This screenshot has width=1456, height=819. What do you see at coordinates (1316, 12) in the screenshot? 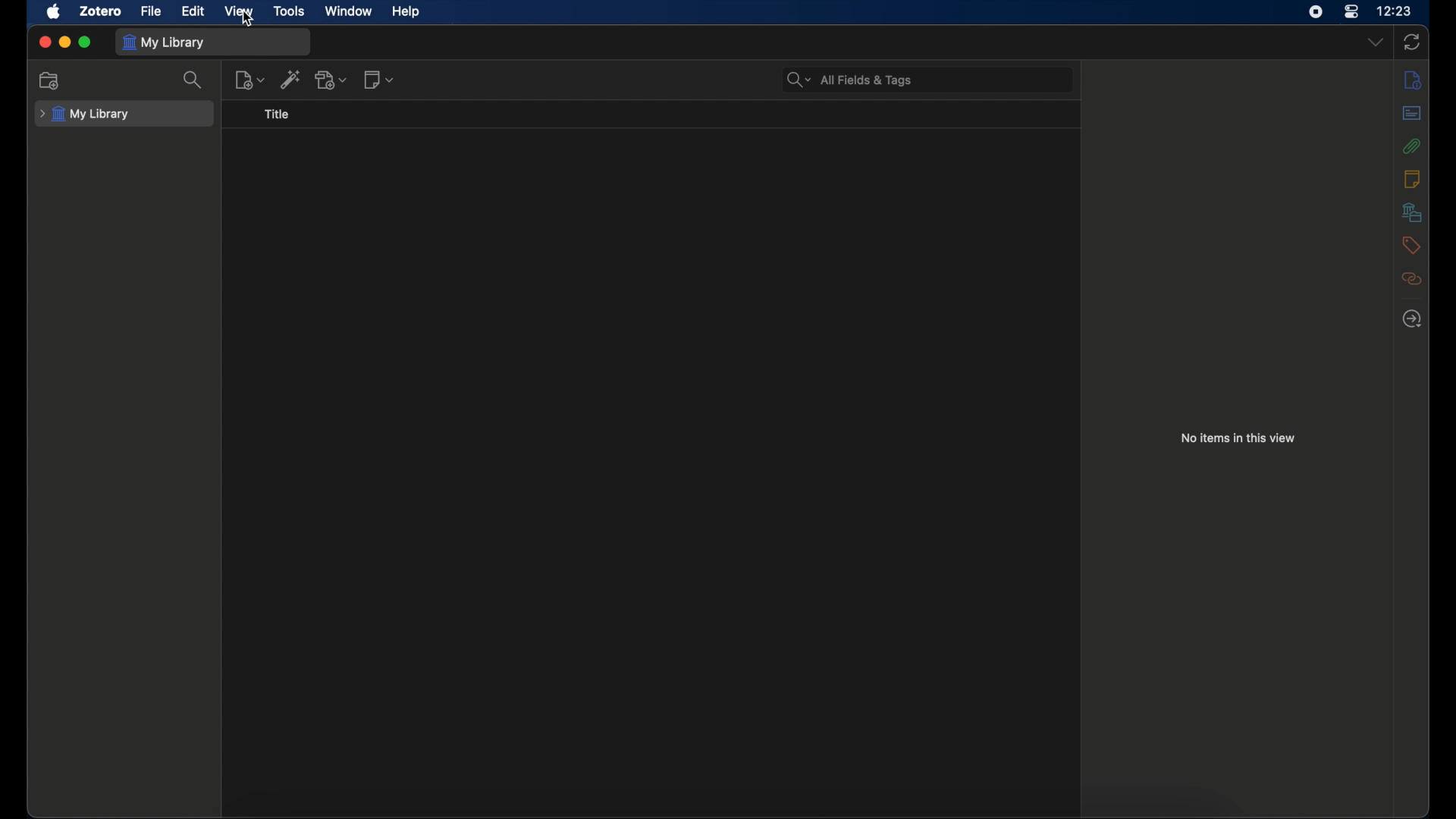
I see `screen recorder` at bounding box center [1316, 12].